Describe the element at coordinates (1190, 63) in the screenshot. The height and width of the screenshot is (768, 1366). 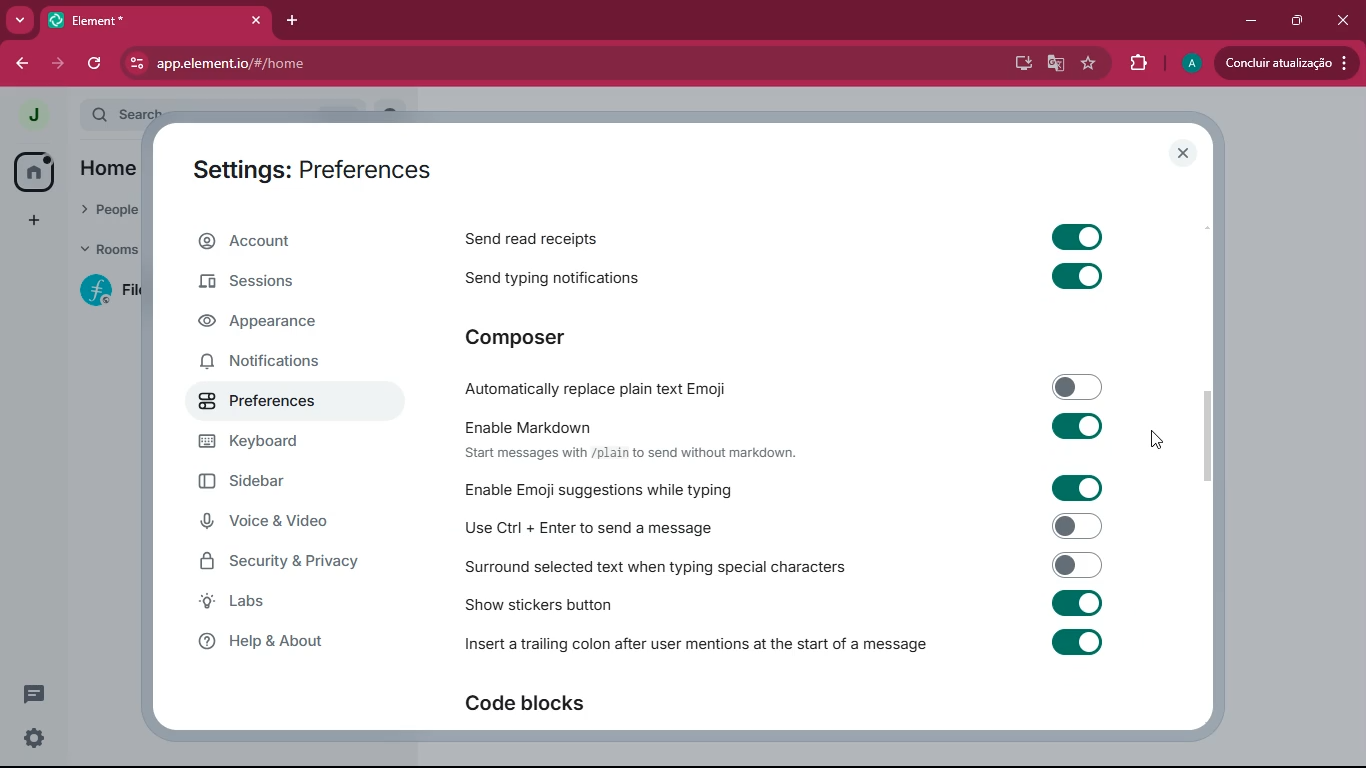
I see `profile` at that location.